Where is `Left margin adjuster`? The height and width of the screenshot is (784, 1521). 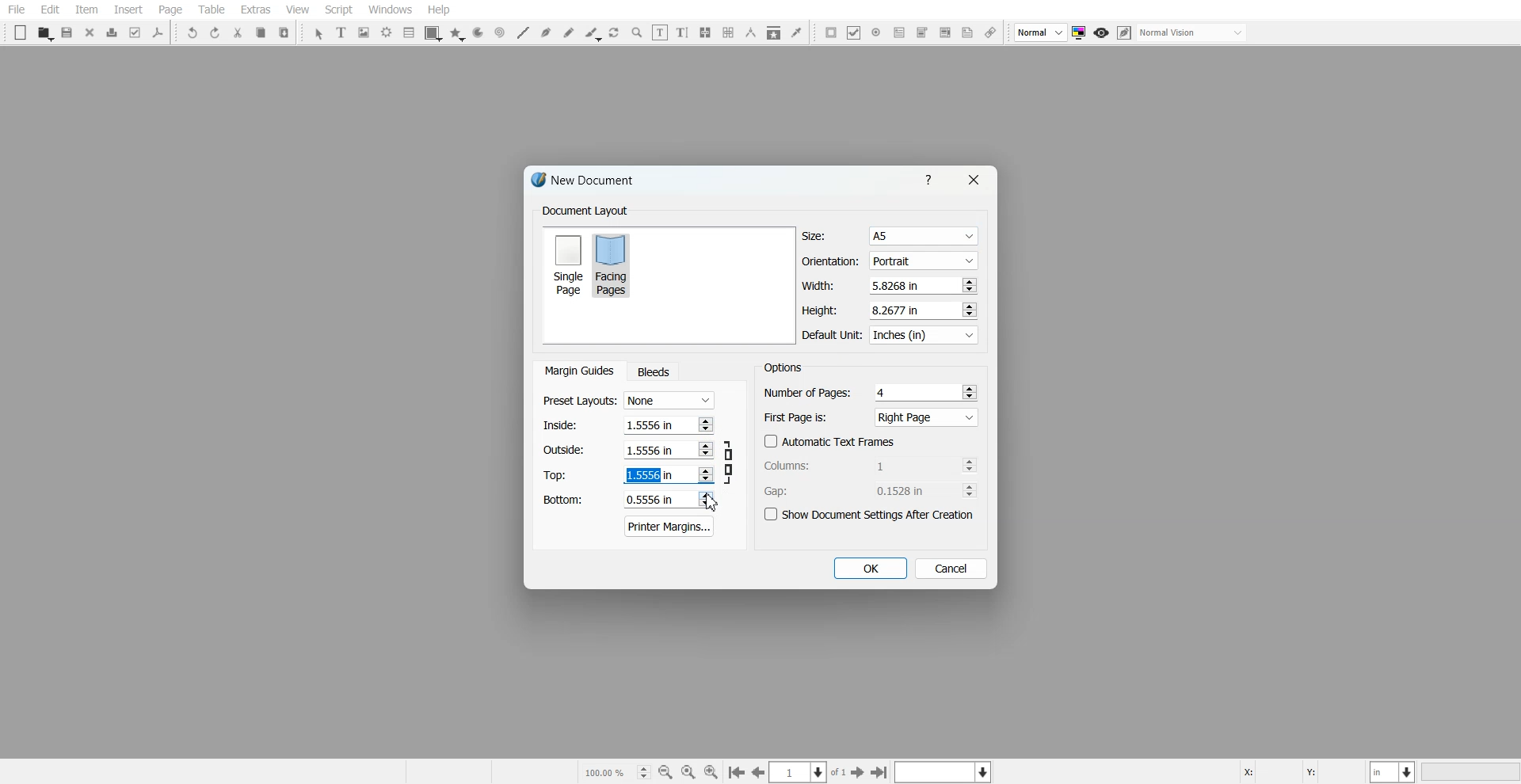
Left margin adjuster is located at coordinates (628, 424).